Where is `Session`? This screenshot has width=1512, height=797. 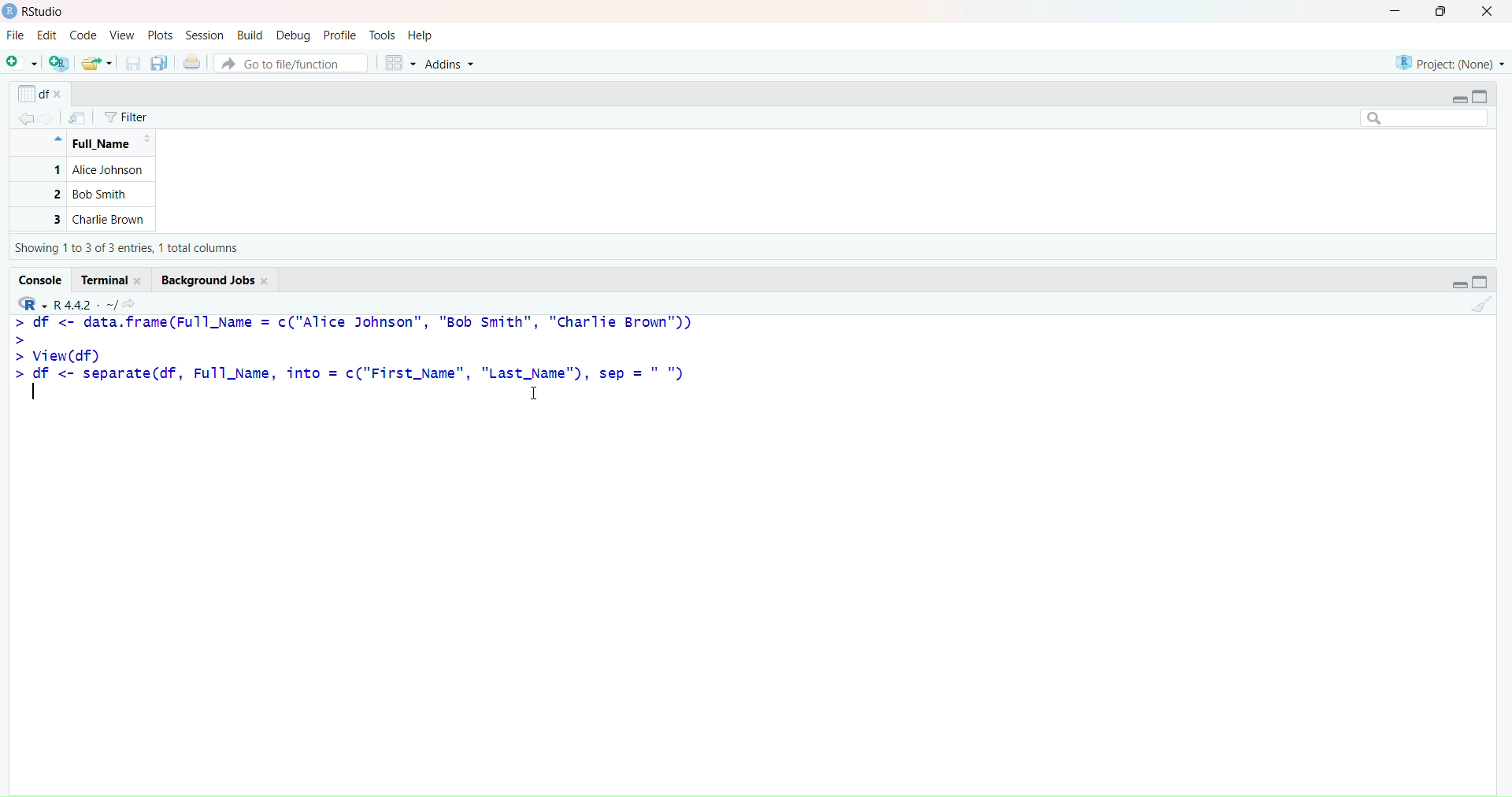 Session is located at coordinates (205, 35).